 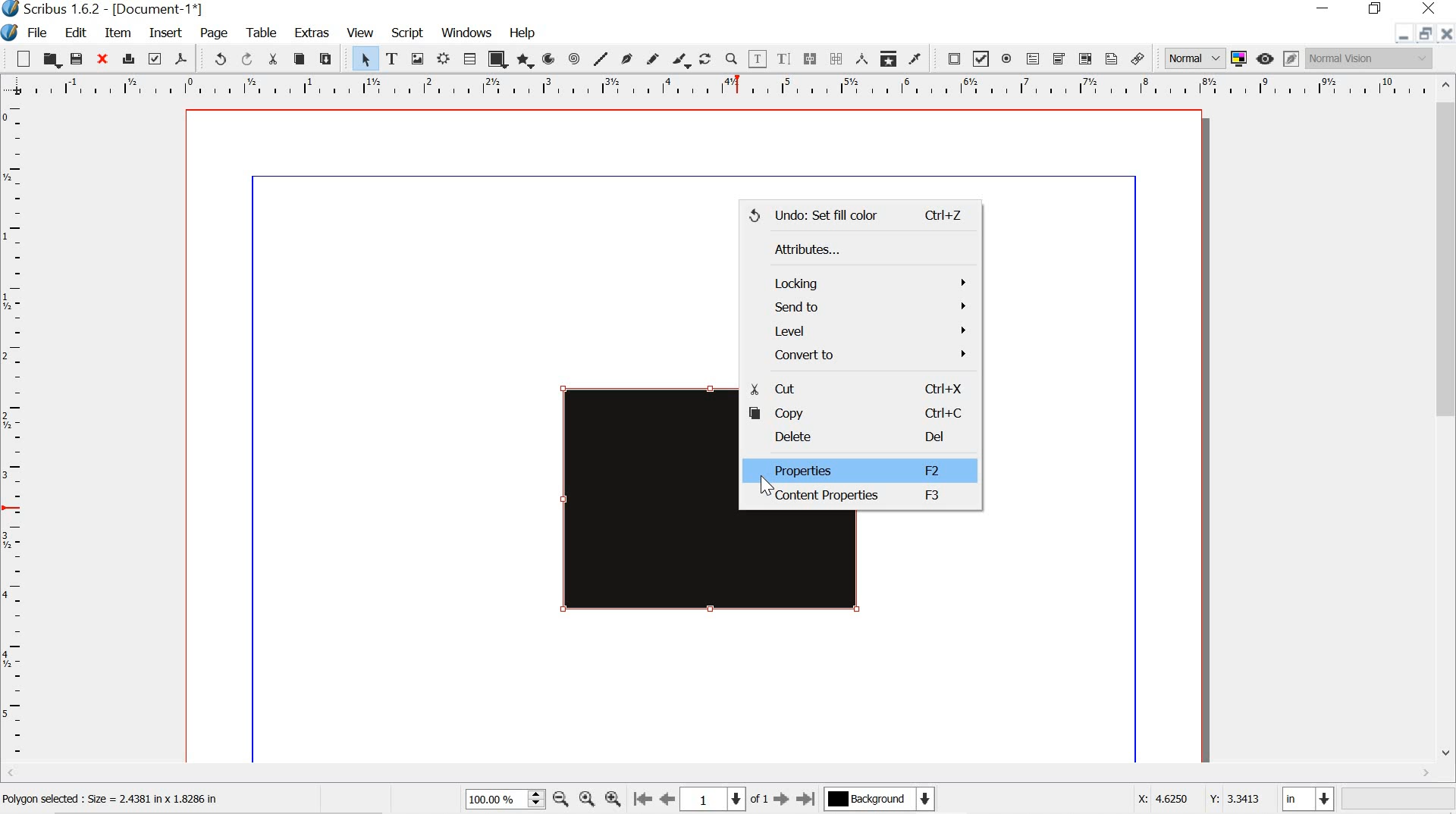 What do you see at coordinates (1007, 58) in the screenshot?
I see `pdf radio button` at bounding box center [1007, 58].